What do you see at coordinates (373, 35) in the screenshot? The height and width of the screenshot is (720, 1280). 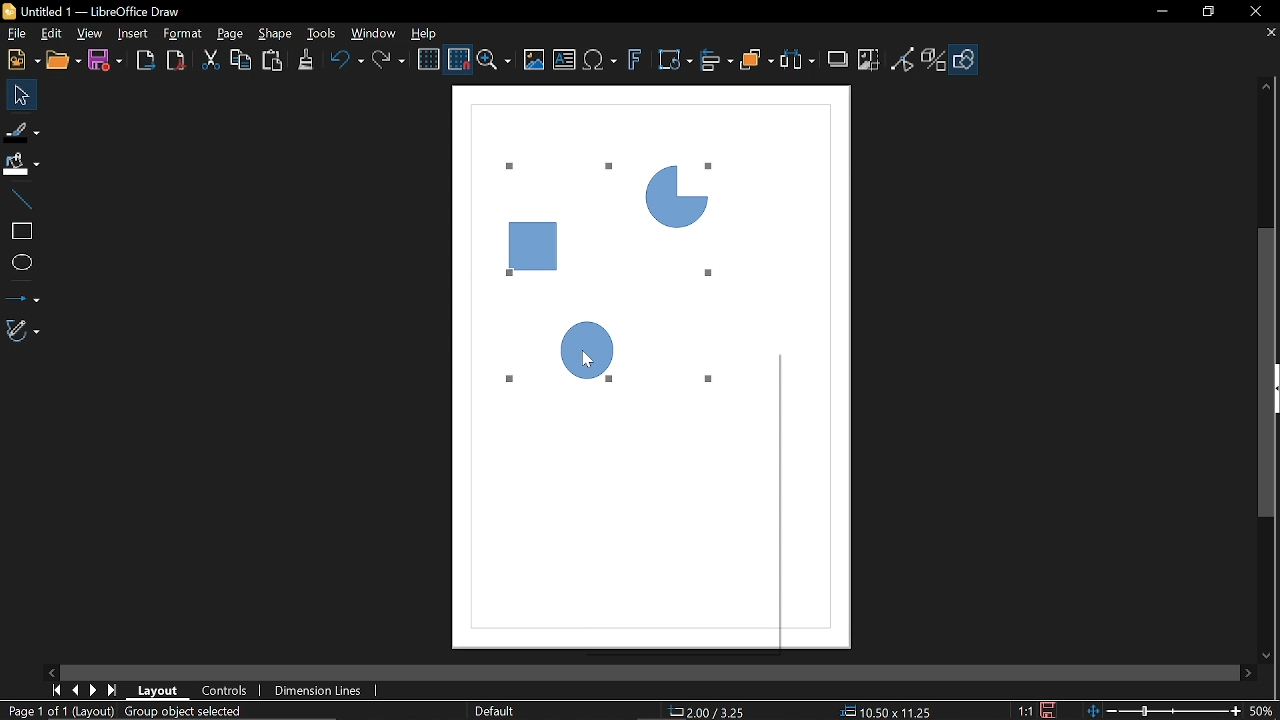 I see `Window` at bounding box center [373, 35].